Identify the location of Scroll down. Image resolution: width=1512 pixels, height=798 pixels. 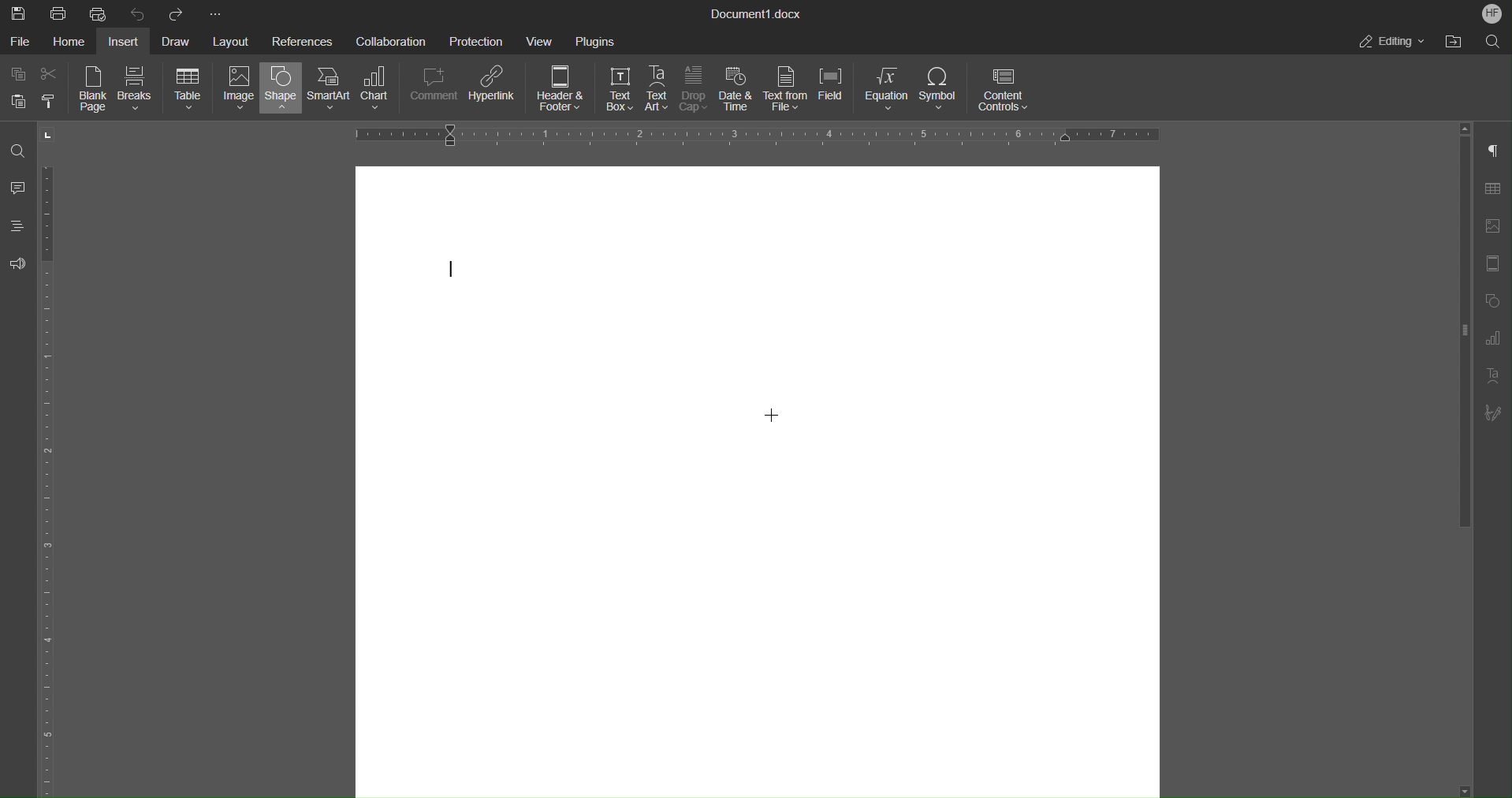
(1458, 782).